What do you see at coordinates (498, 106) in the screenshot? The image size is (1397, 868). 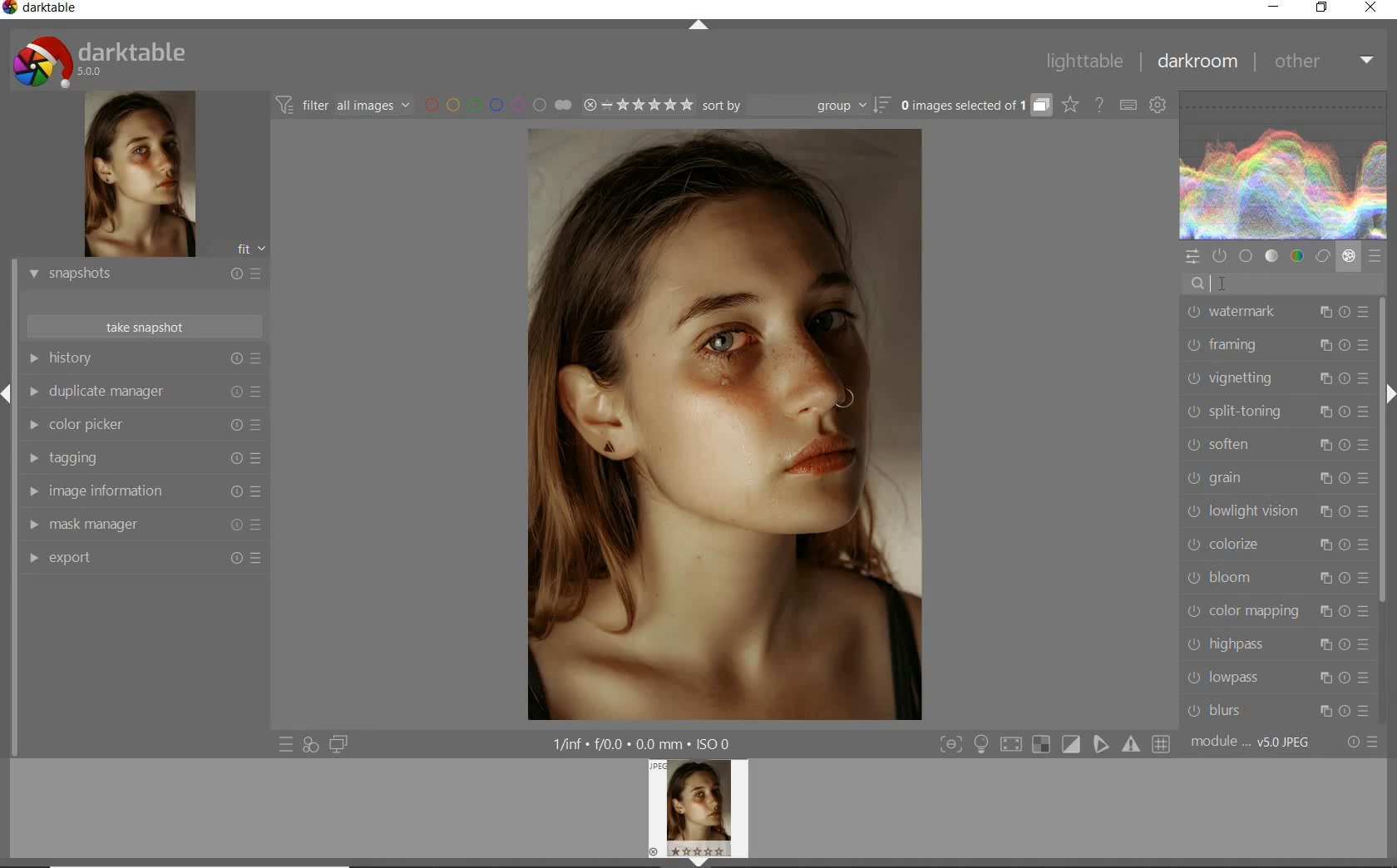 I see `filter by image color` at bounding box center [498, 106].